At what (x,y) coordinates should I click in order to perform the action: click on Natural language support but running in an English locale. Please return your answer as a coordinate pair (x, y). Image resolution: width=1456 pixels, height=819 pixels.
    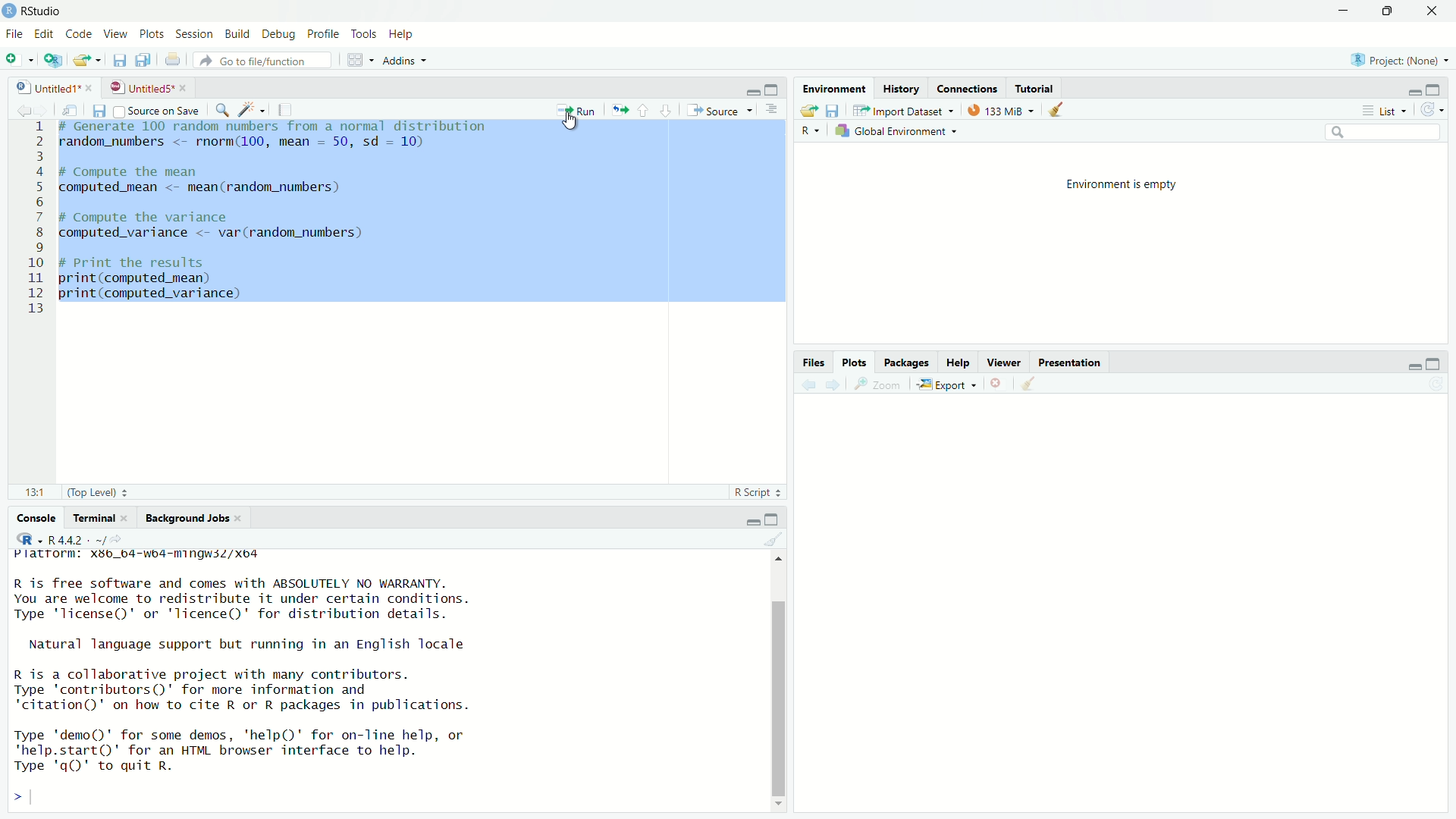
    Looking at the image, I should click on (247, 644).